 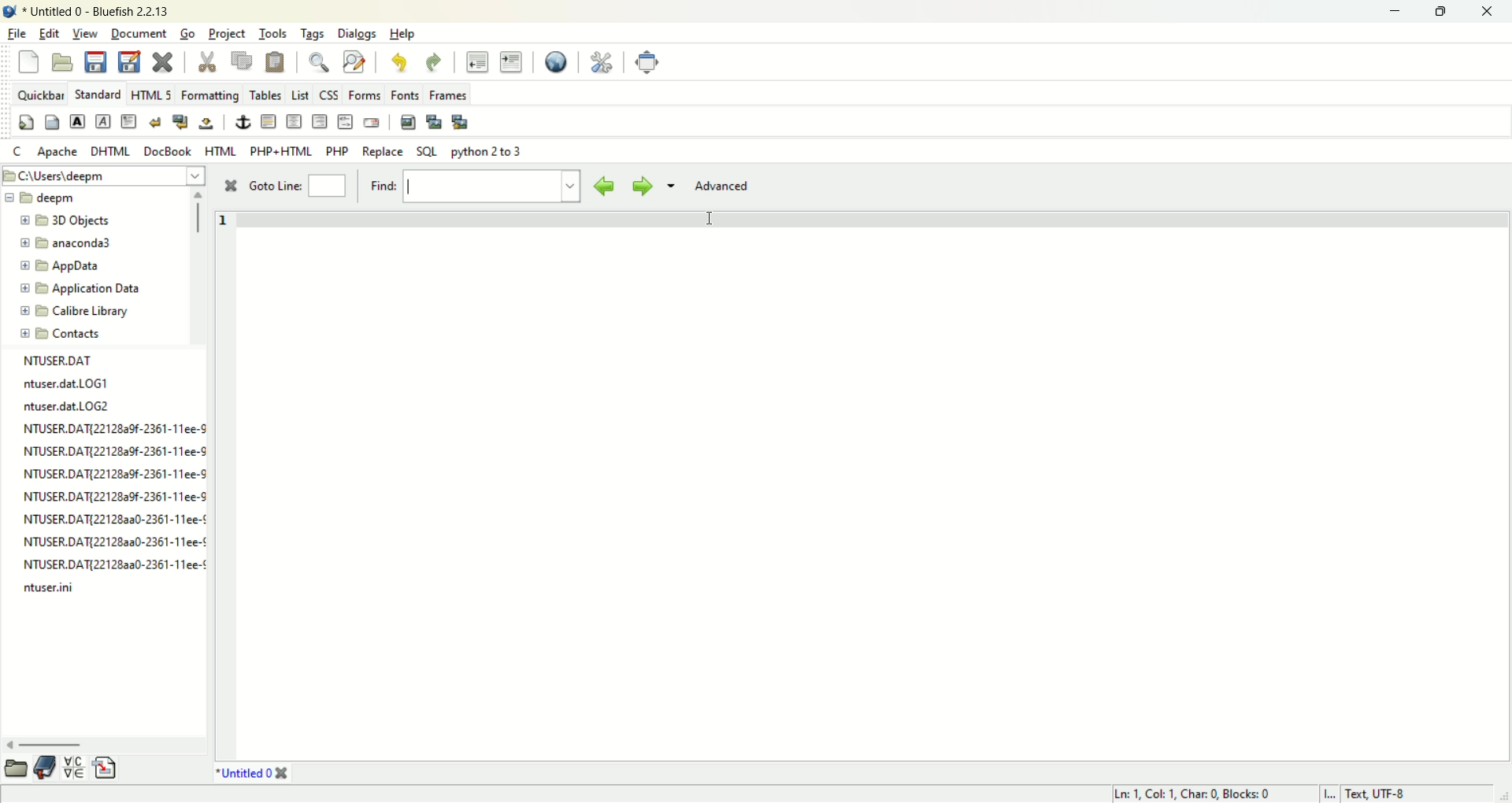 I want to click on deepm, so click(x=55, y=200).